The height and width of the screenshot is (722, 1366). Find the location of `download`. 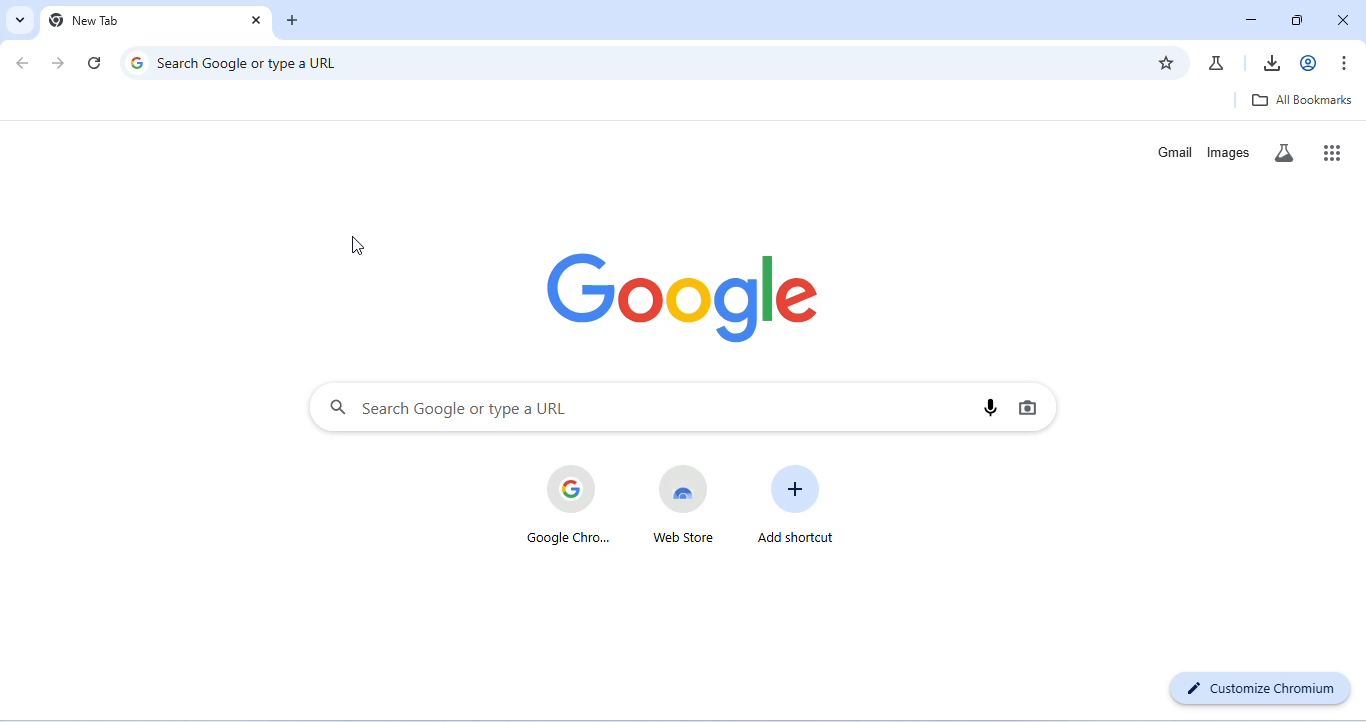

download is located at coordinates (1275, 63).